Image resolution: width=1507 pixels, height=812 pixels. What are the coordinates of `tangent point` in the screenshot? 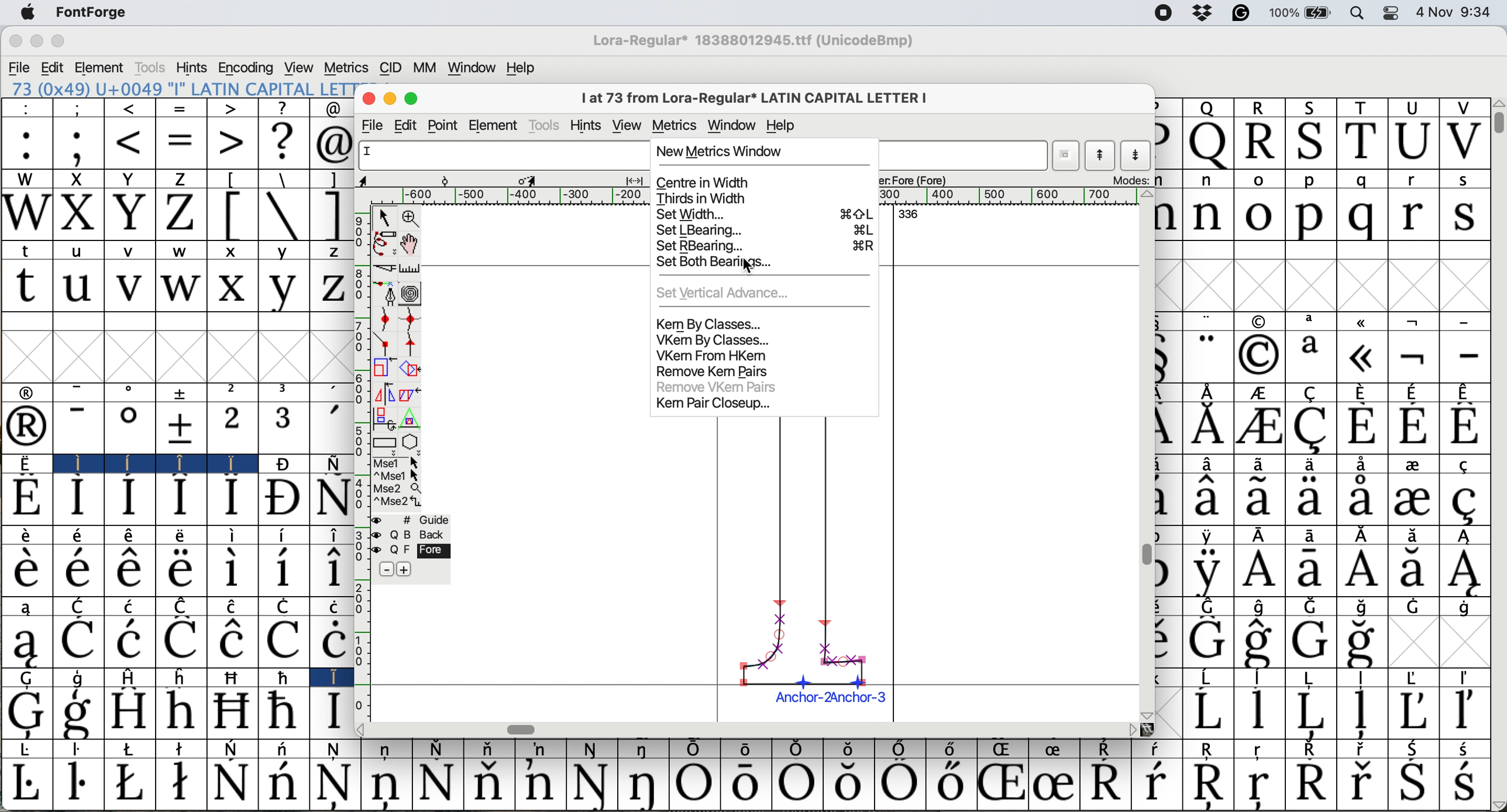 It's located at (412, 345).